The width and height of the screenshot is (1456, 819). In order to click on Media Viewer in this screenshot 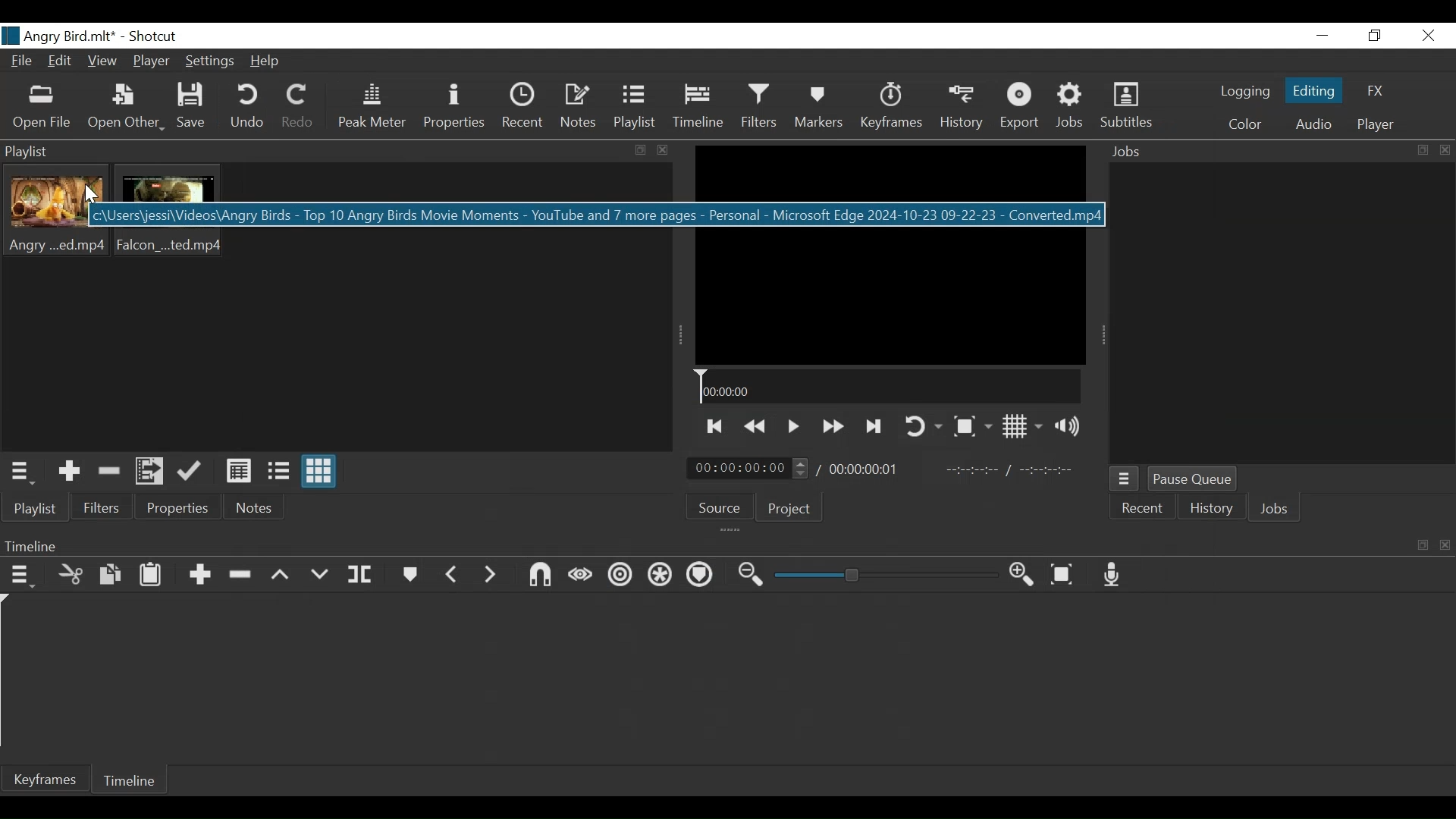, I will do `click(890, 255)`.